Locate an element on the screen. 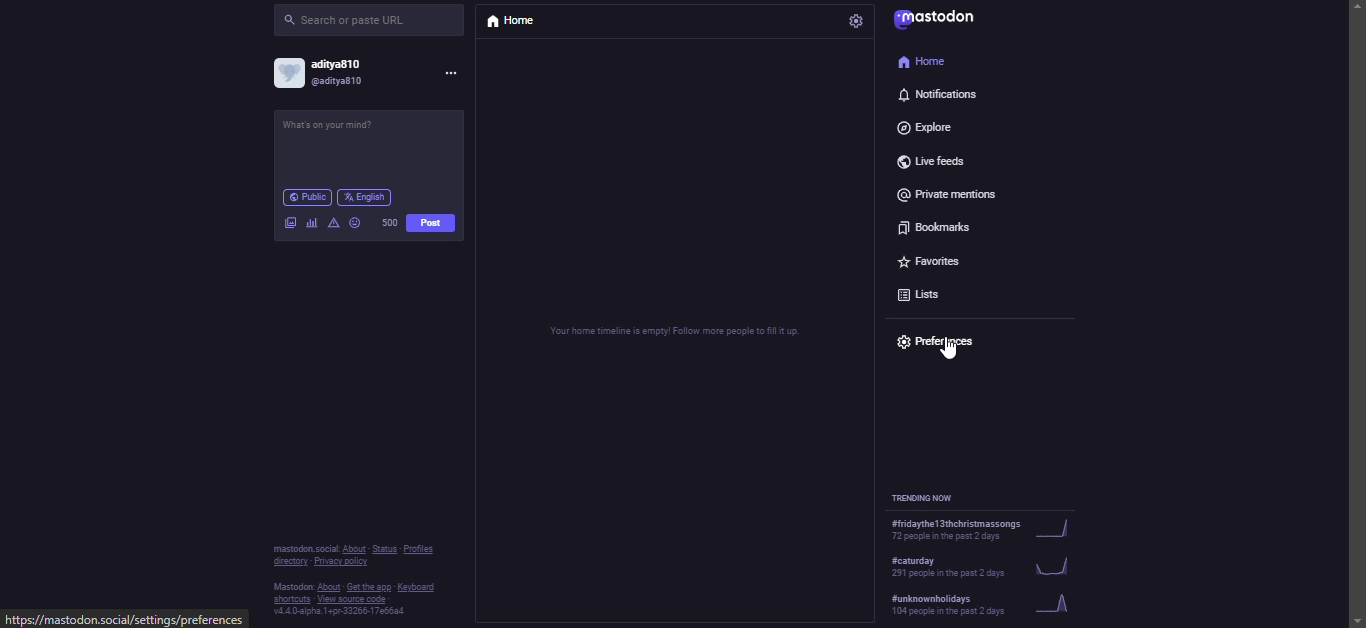  advanced is located at coordinates (335, 222).